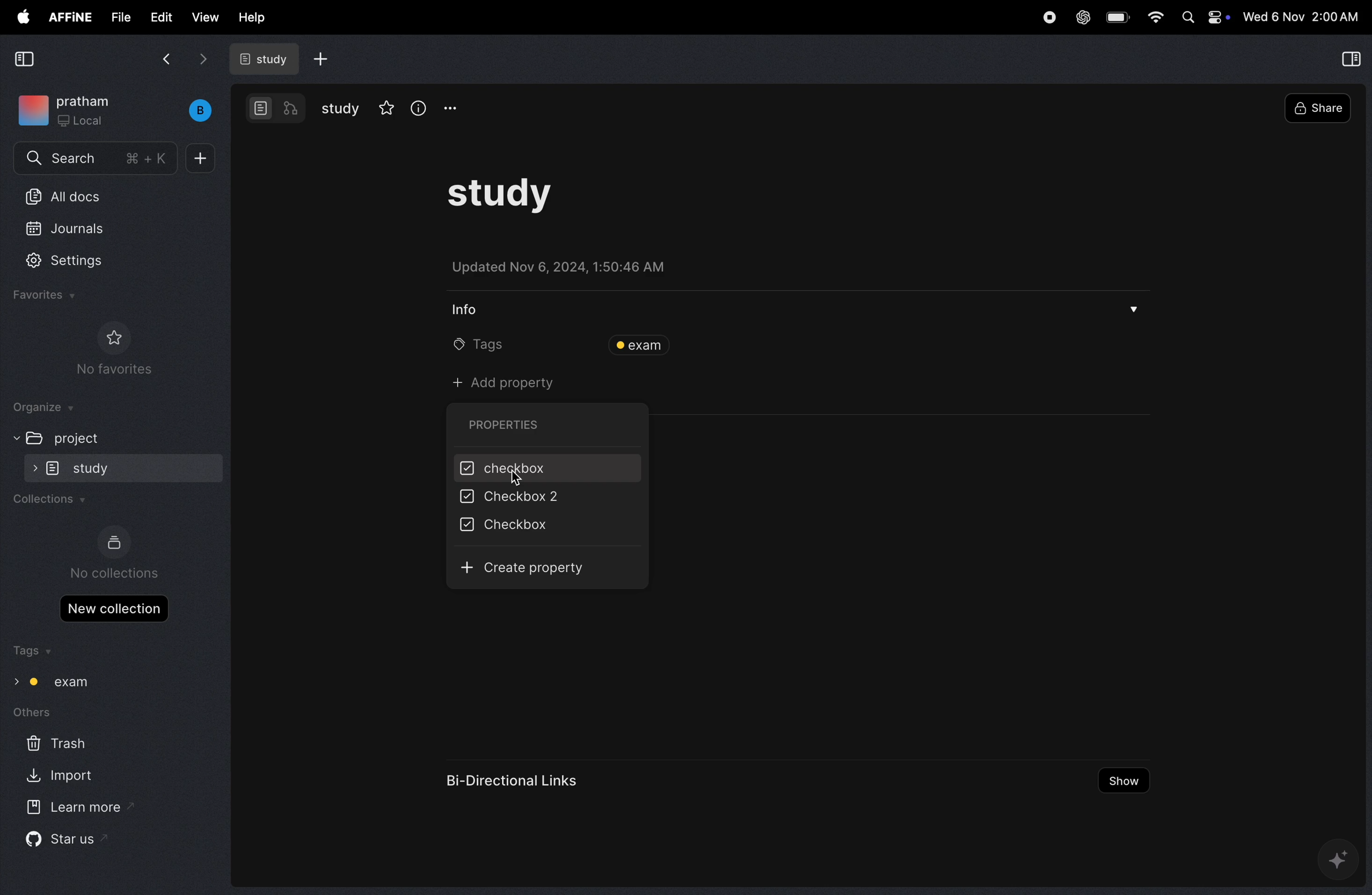  I want to click on organize, so click(38, 408).